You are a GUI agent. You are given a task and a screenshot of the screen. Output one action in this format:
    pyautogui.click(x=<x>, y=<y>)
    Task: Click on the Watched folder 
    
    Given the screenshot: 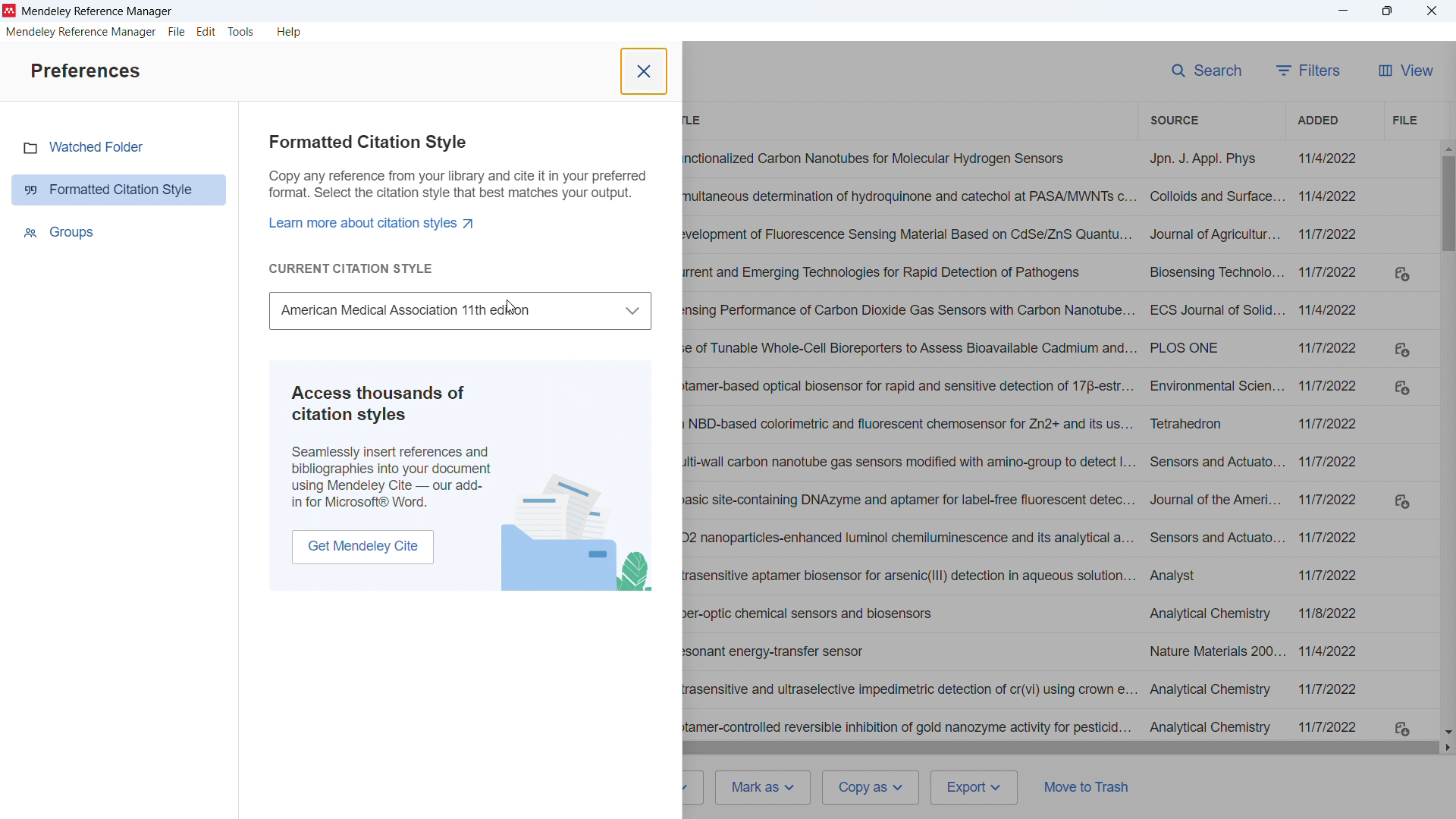 What is the action you would take?
    pyautogui.click(x=98, y=147)
    